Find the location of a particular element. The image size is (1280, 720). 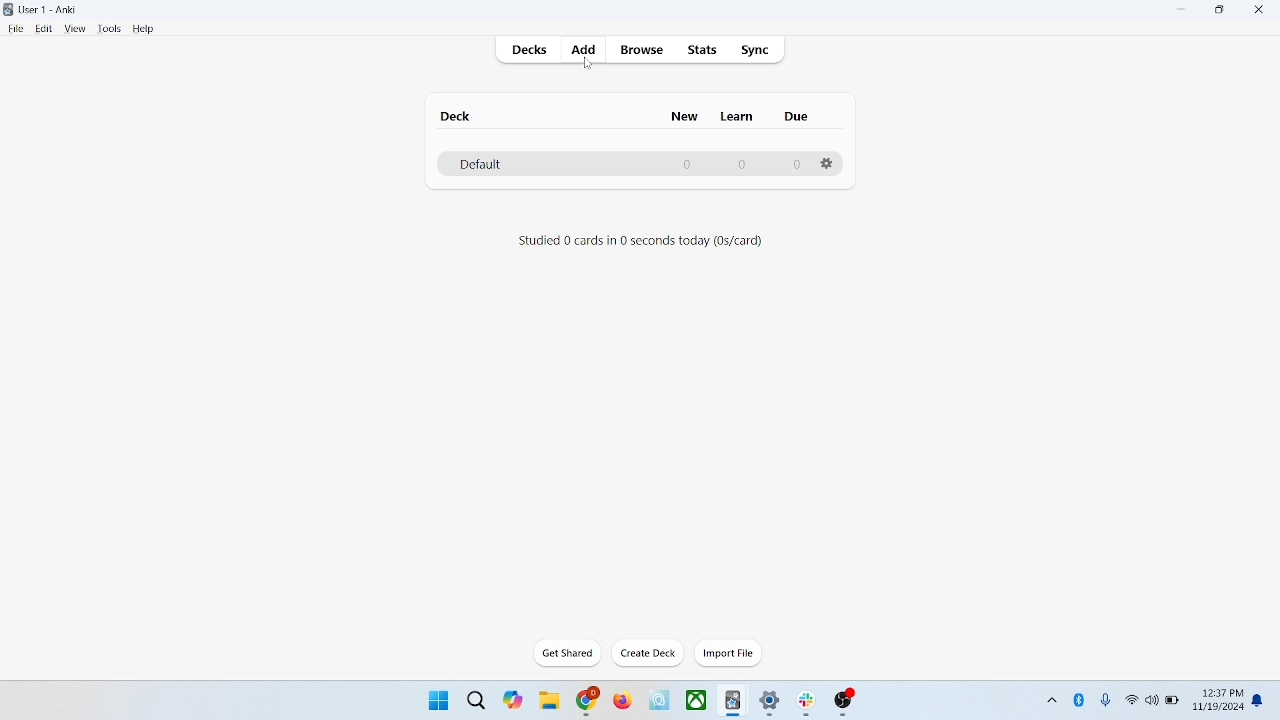

new is located at coordinates (685, 116).